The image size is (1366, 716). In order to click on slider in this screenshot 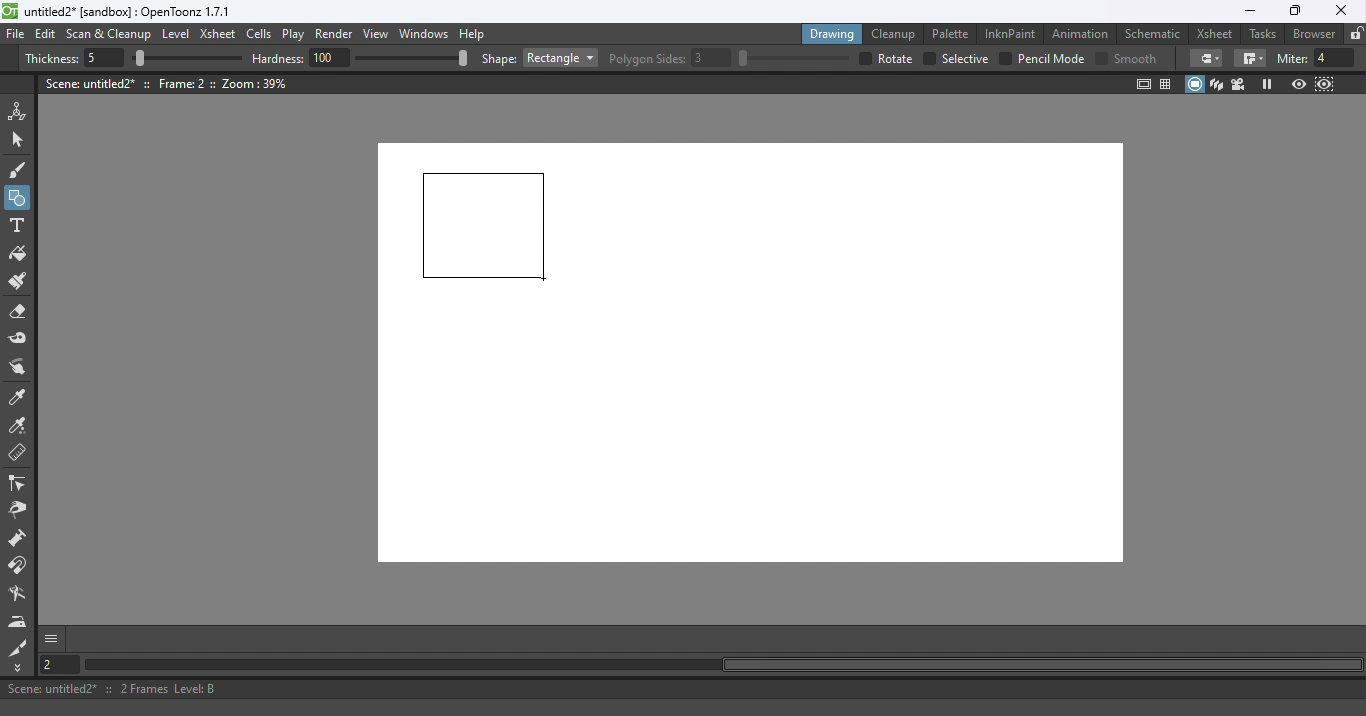, I will do `click(411, 57)`.